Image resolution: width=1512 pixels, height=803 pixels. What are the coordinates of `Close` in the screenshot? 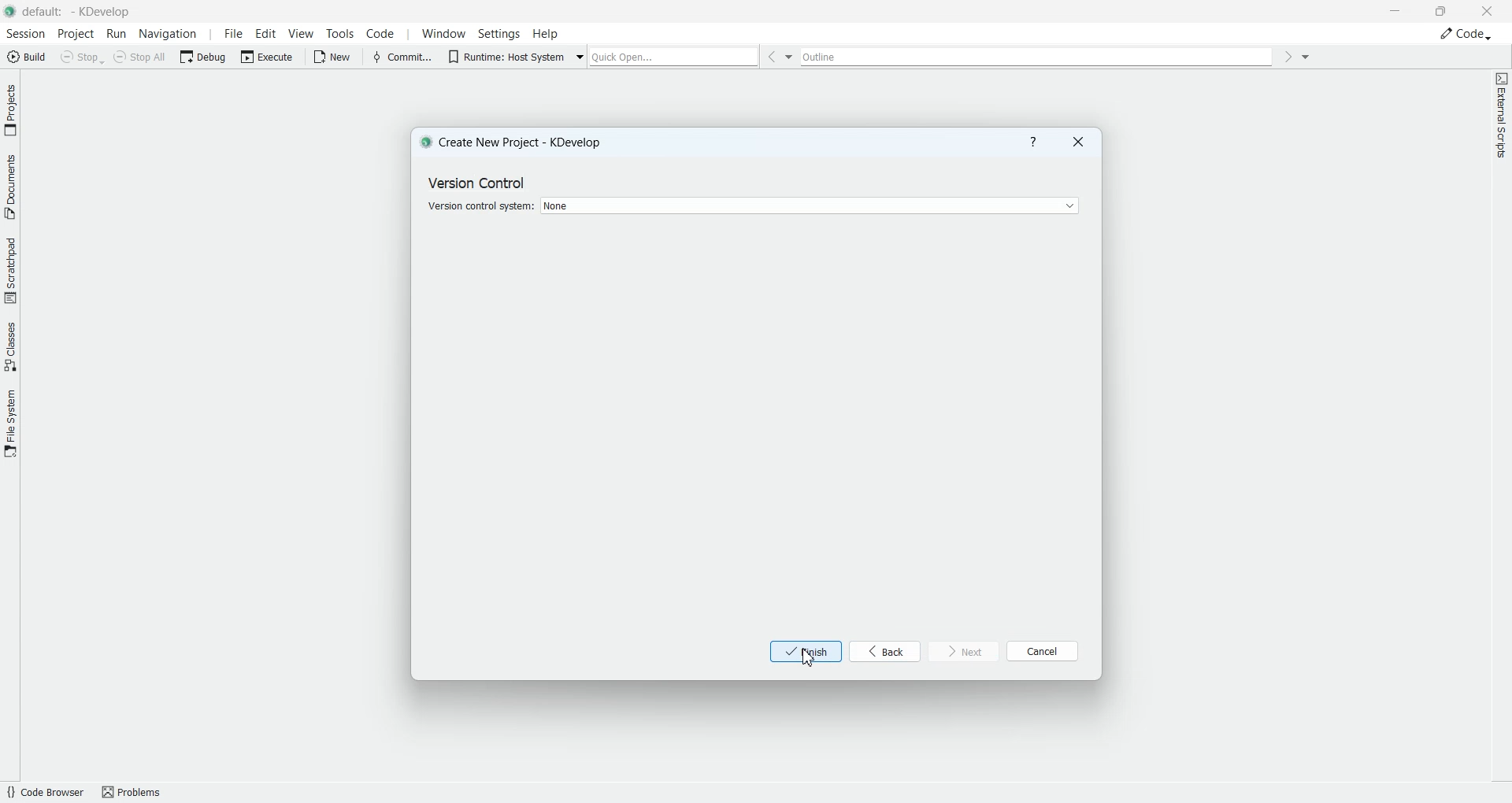 It's located at (1078, 142).